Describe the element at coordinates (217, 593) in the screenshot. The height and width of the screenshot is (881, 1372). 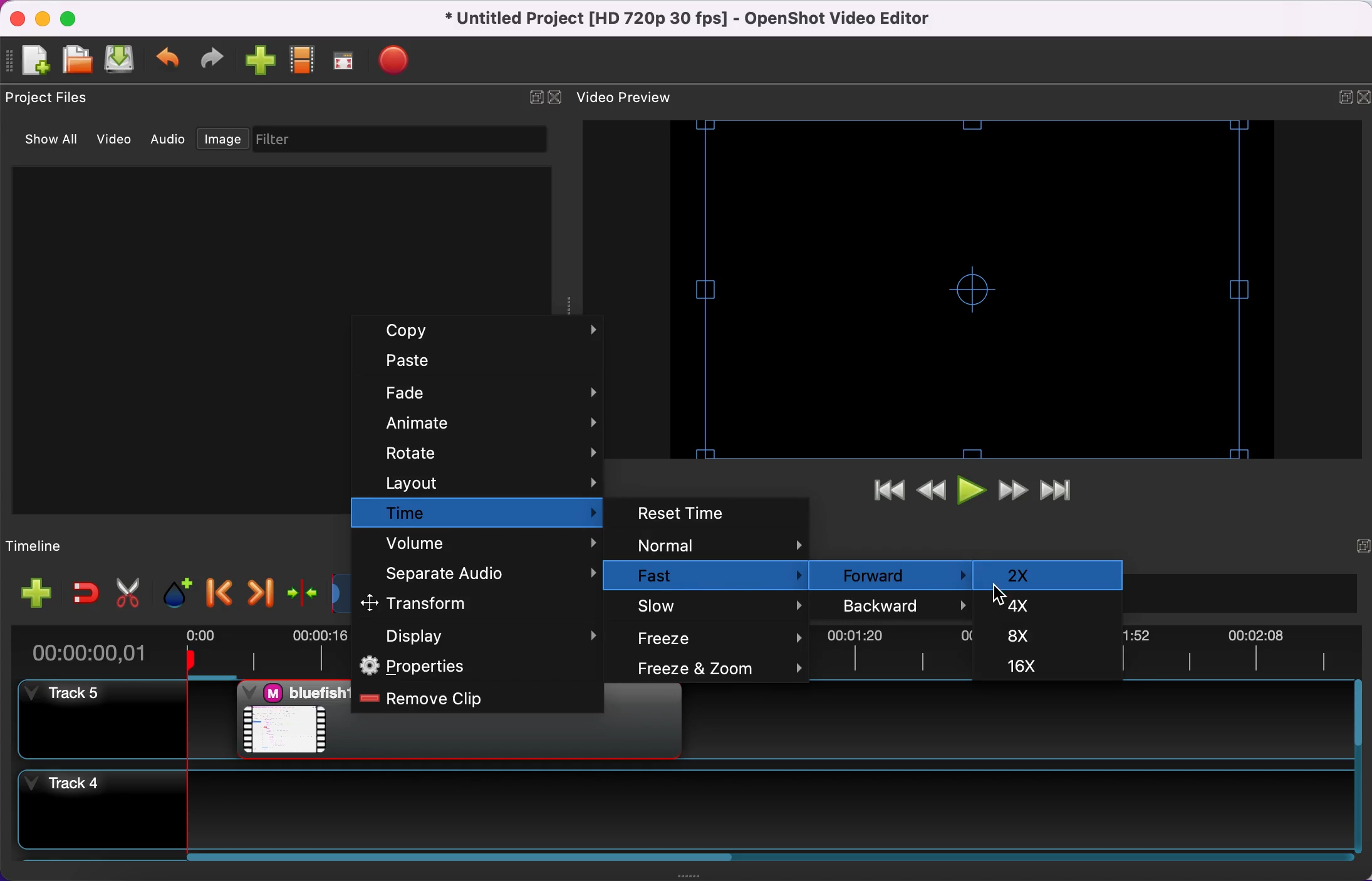
I see `previous marker` at that location.